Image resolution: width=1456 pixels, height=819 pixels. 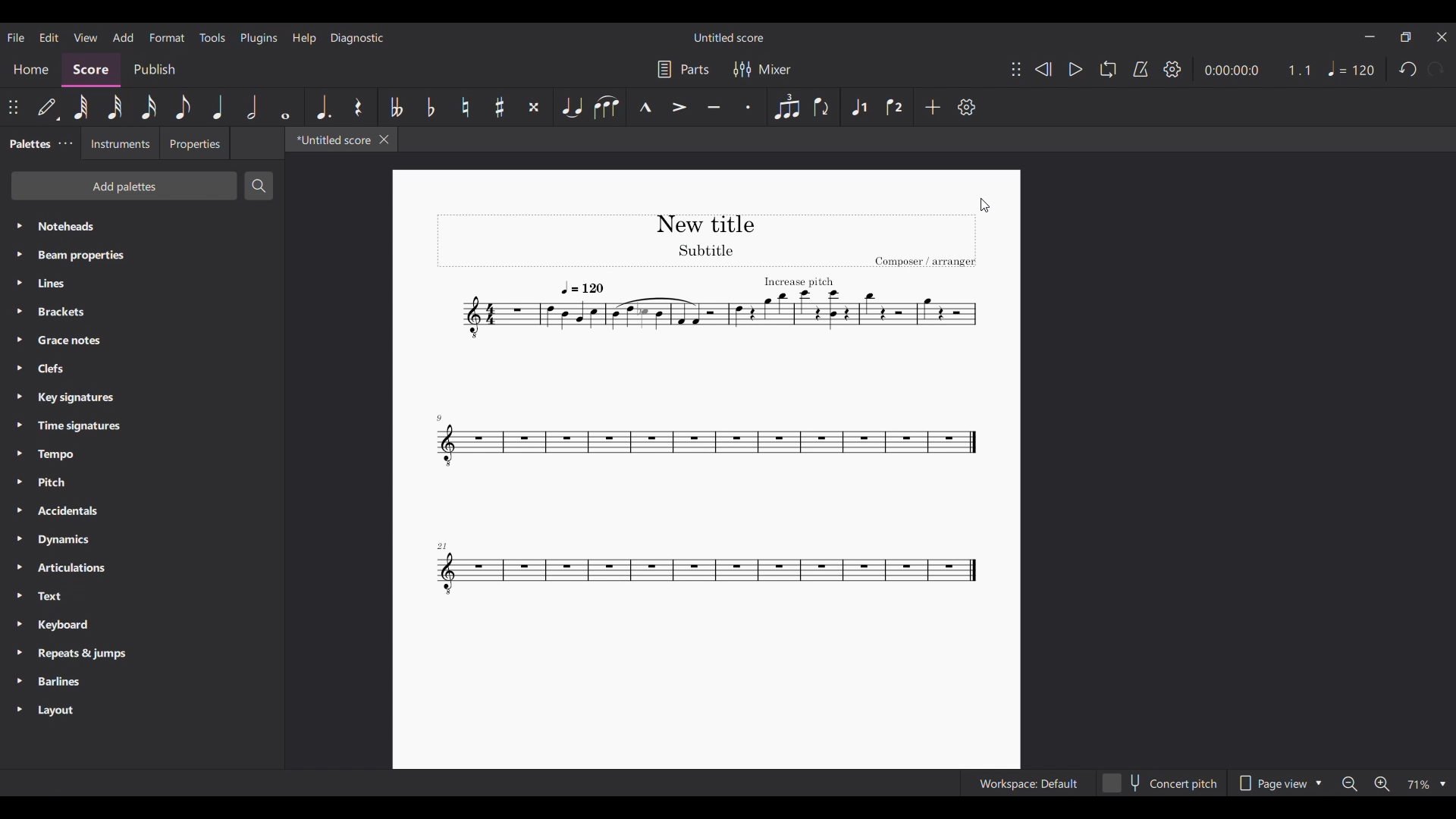 What do you see at coordinates (27, 145) in the screenshot?
I see `Palettes` at bounding box center [27, 145].